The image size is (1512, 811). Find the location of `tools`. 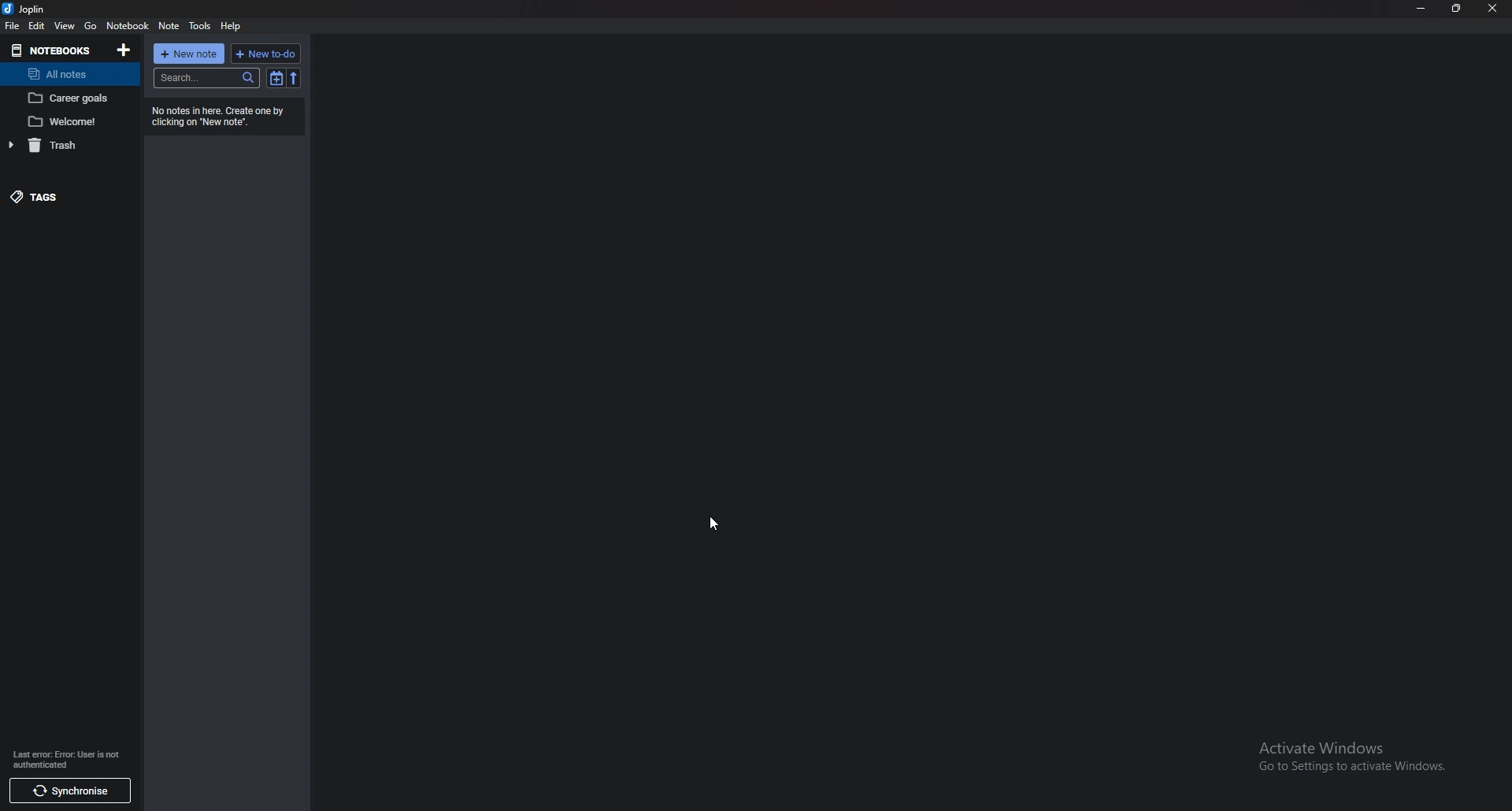

tools is located at coordinates (199, 26).